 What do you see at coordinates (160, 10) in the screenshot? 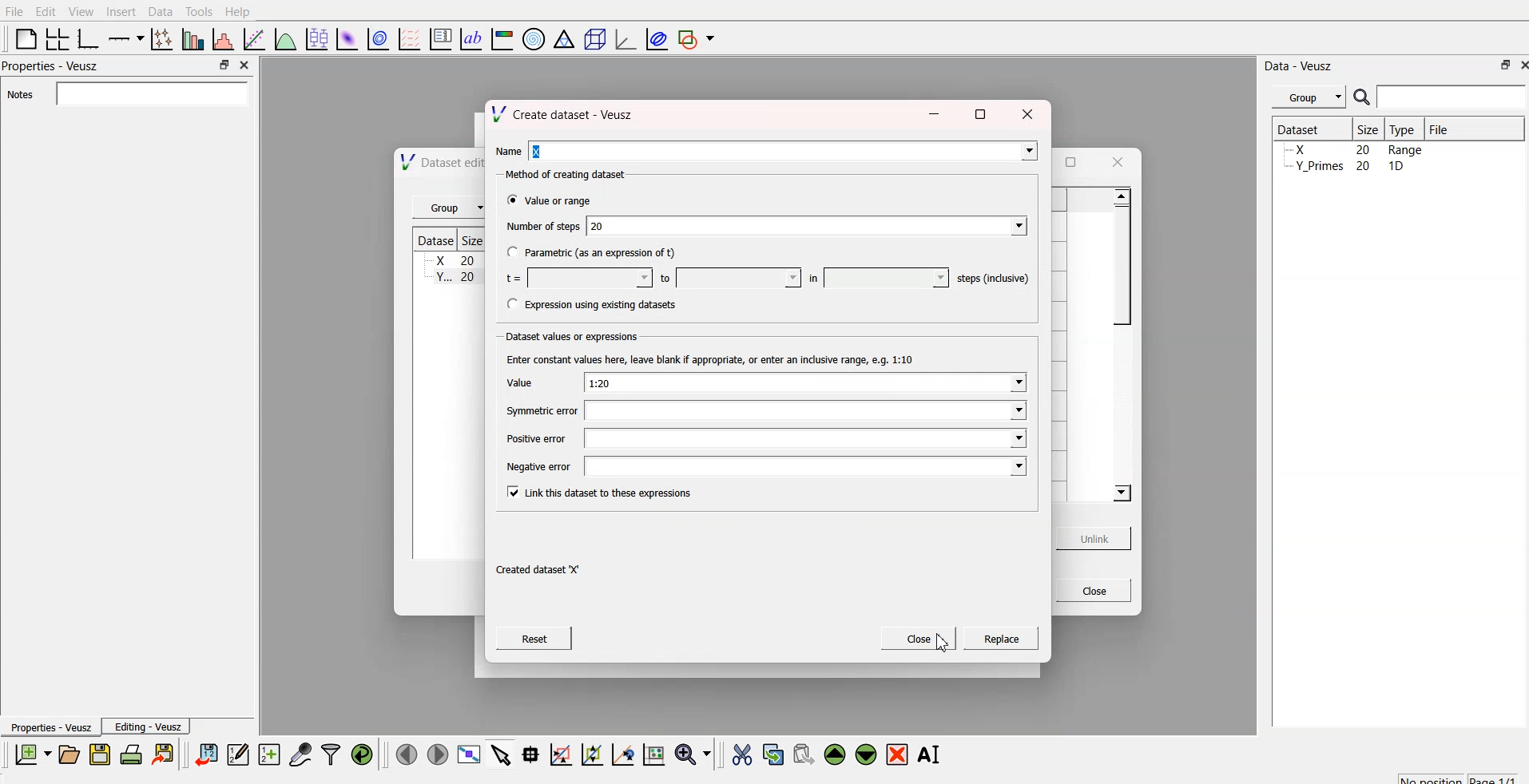
I see `Data` at bounding box center [160, 10].